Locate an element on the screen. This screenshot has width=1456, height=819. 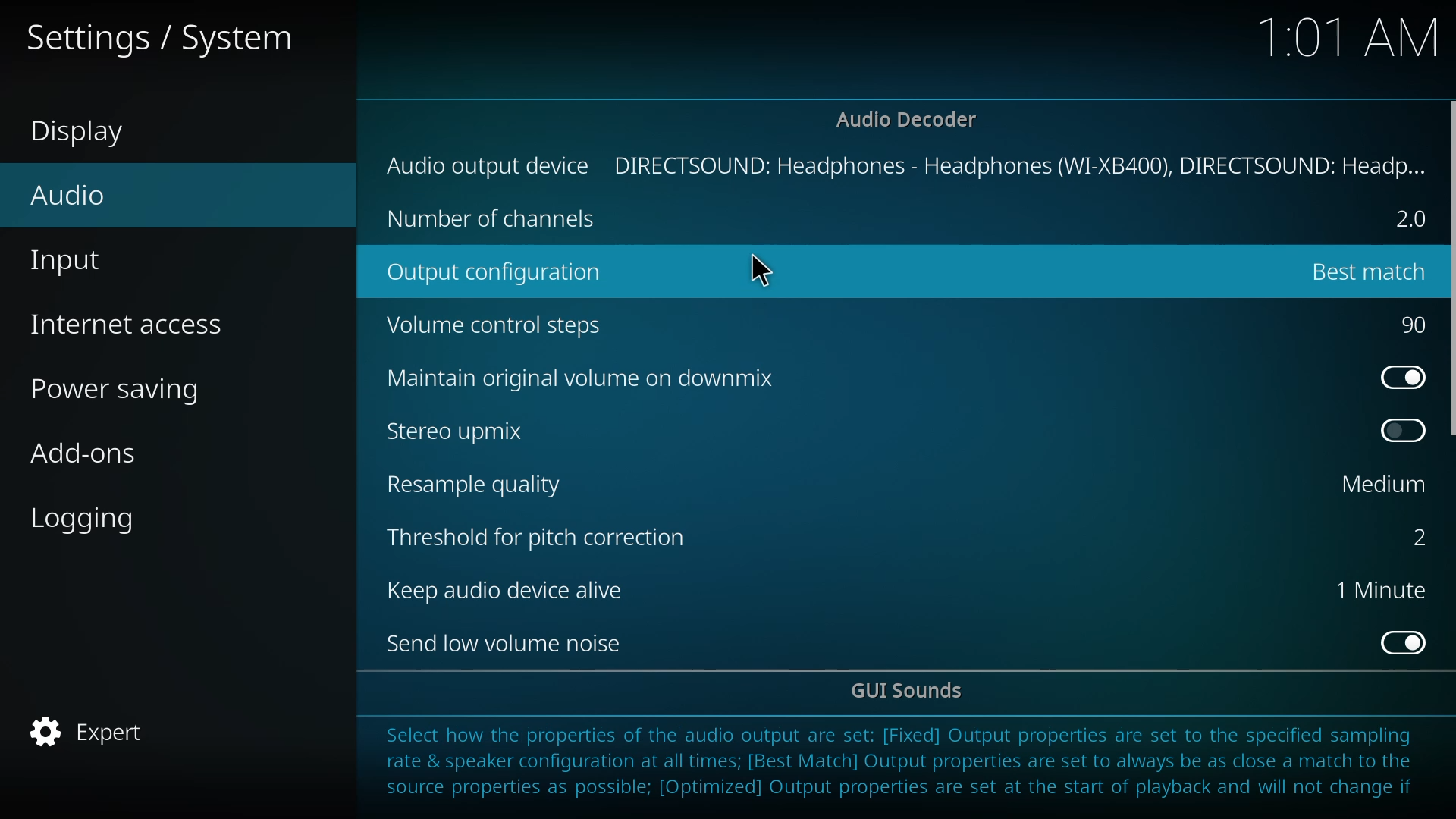
changed is located at coordinates (1363, 270).